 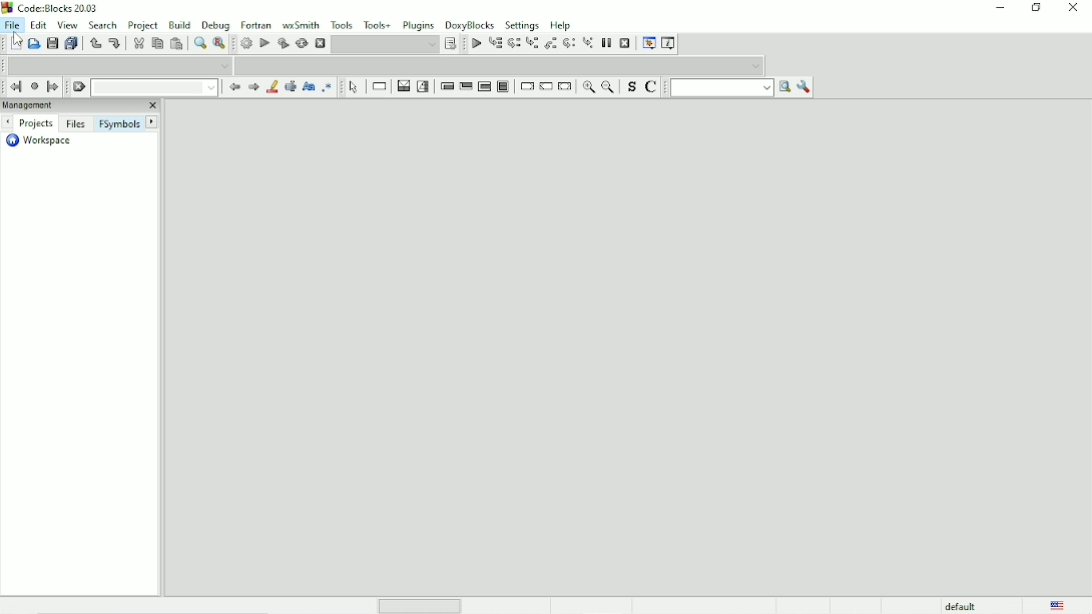 I want to click on Save everything, so click(x=71, y=43).